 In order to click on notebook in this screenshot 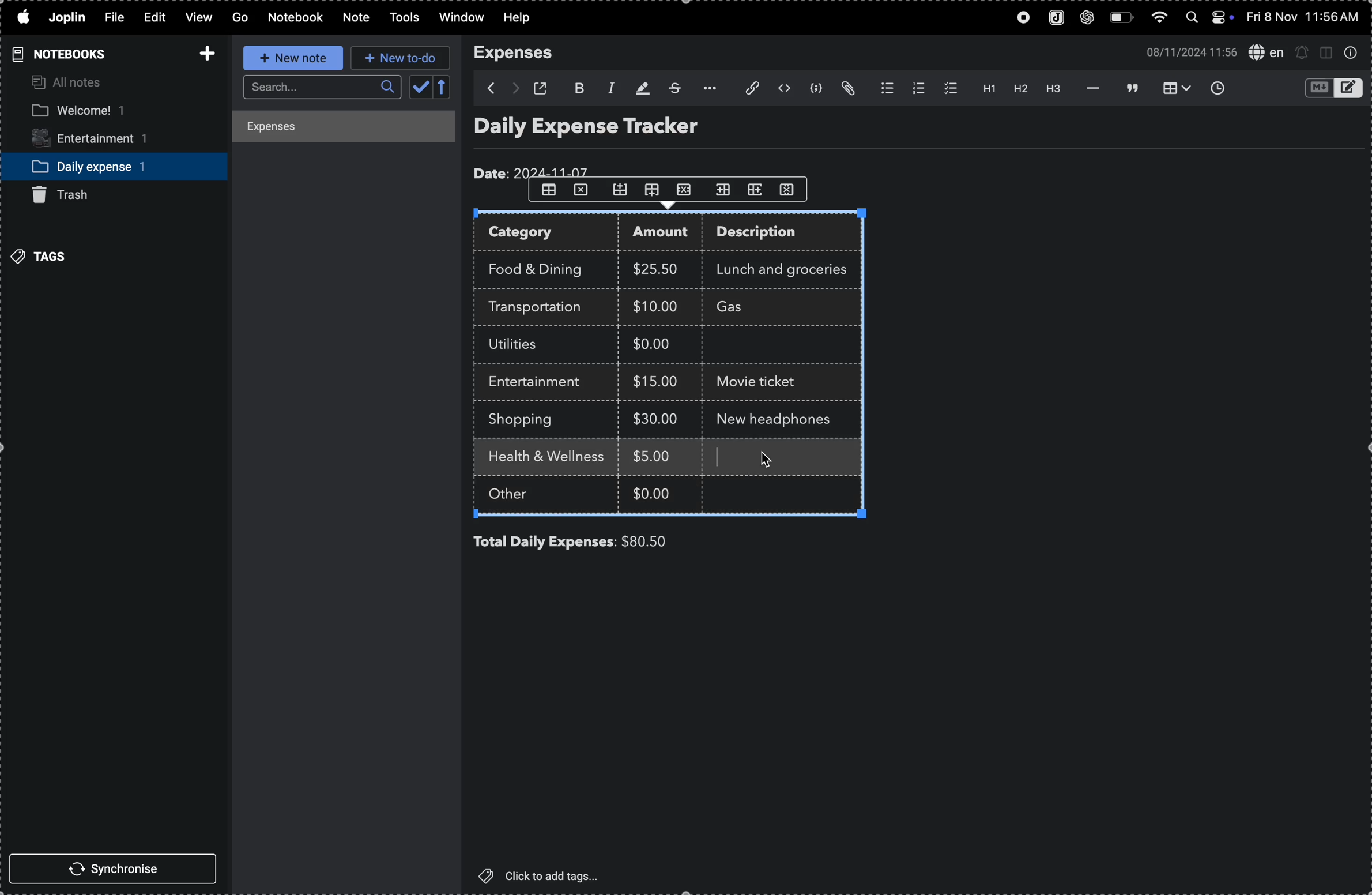, I will do `click(296, 17)`.